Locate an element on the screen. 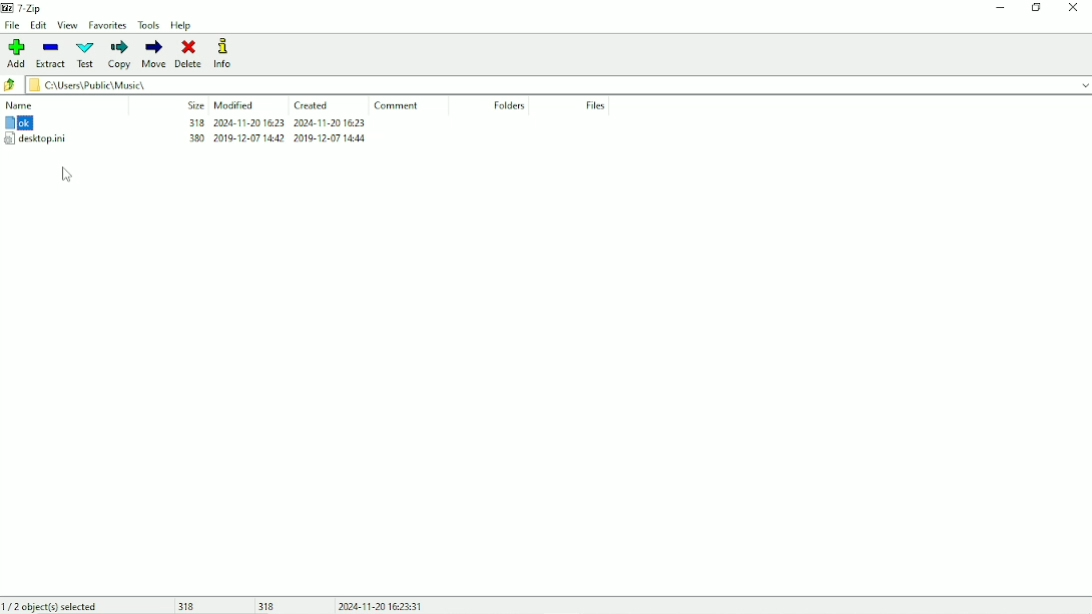 The height and width of the screenshot is (614, 1092). Delete is located at coordinates (192, 53).